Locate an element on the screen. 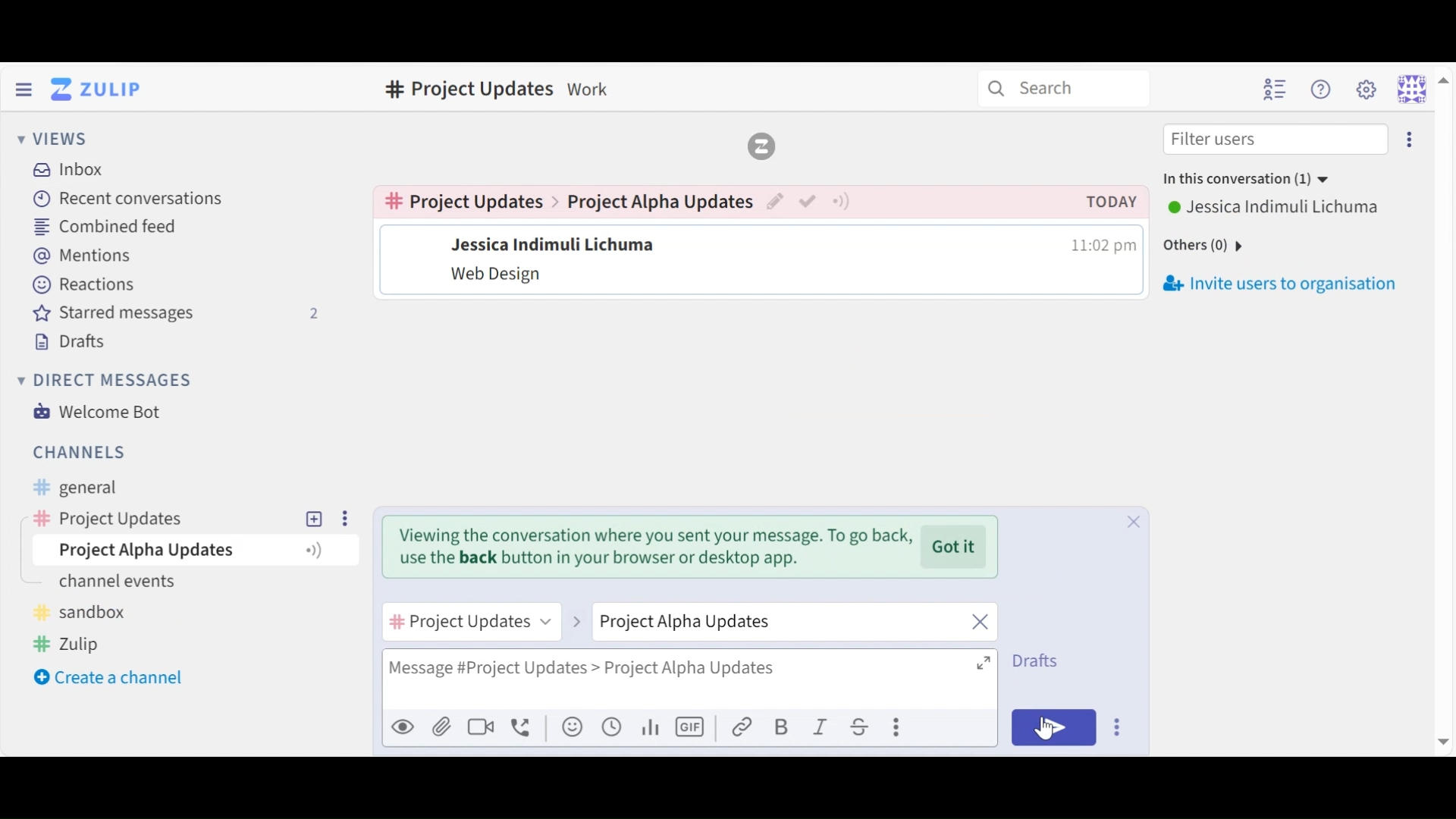 The image size is (1456, 819). Upload File is located at coordinates (440, 726).